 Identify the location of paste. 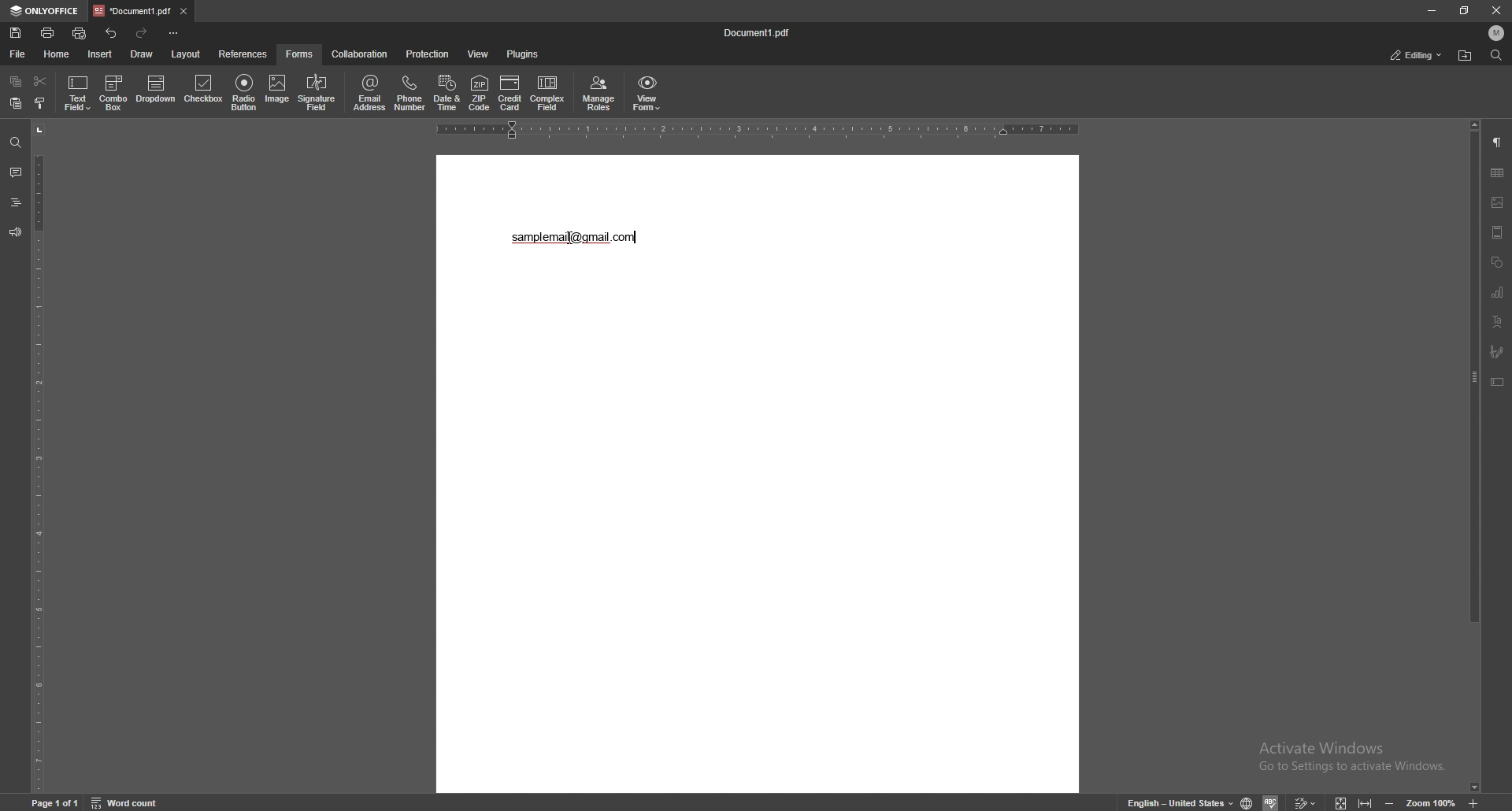
(15, 103).